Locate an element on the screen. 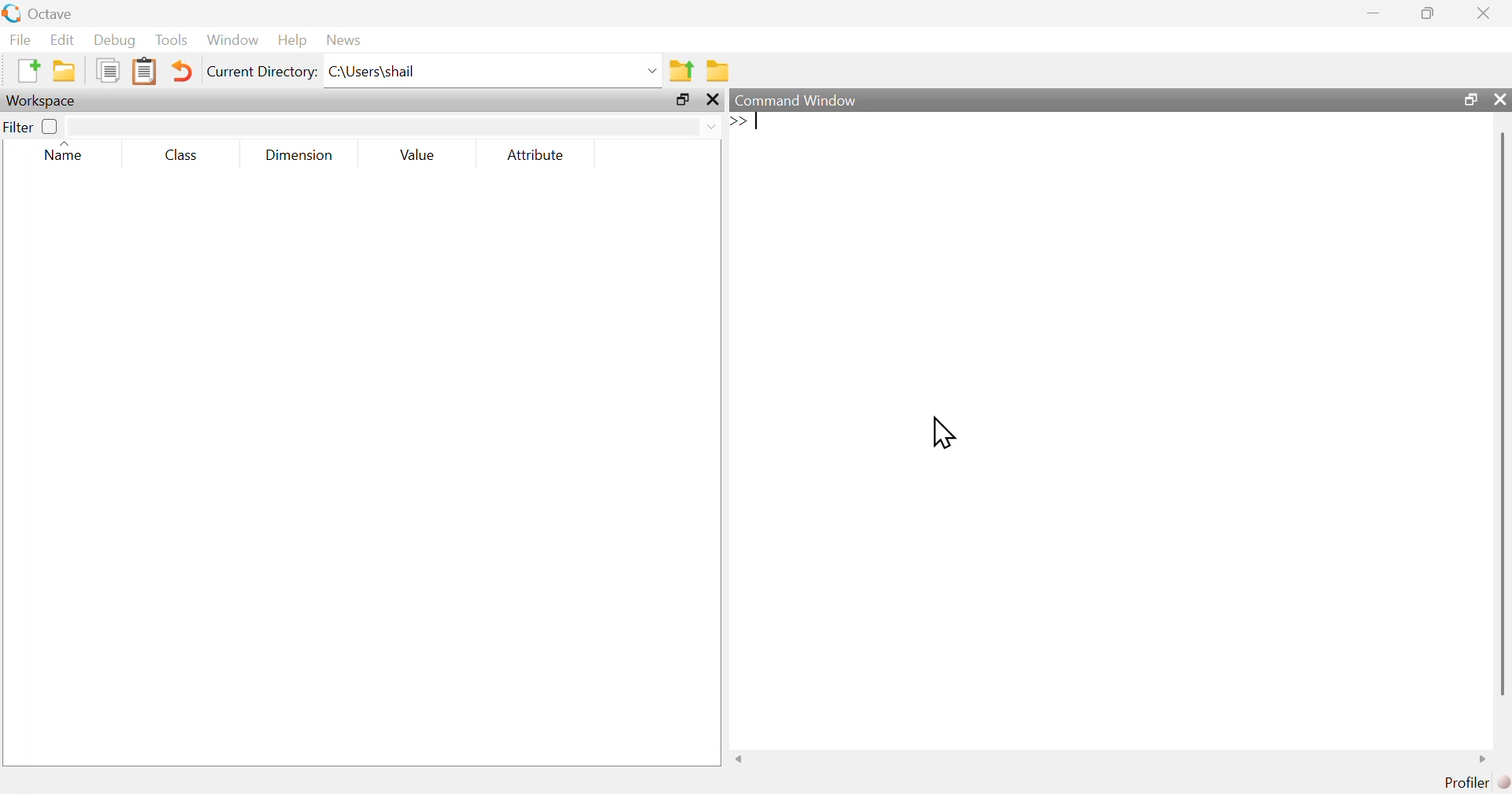 The width and height of the screenshot is (1512, 794). Name is located at coordinates (65, 150).